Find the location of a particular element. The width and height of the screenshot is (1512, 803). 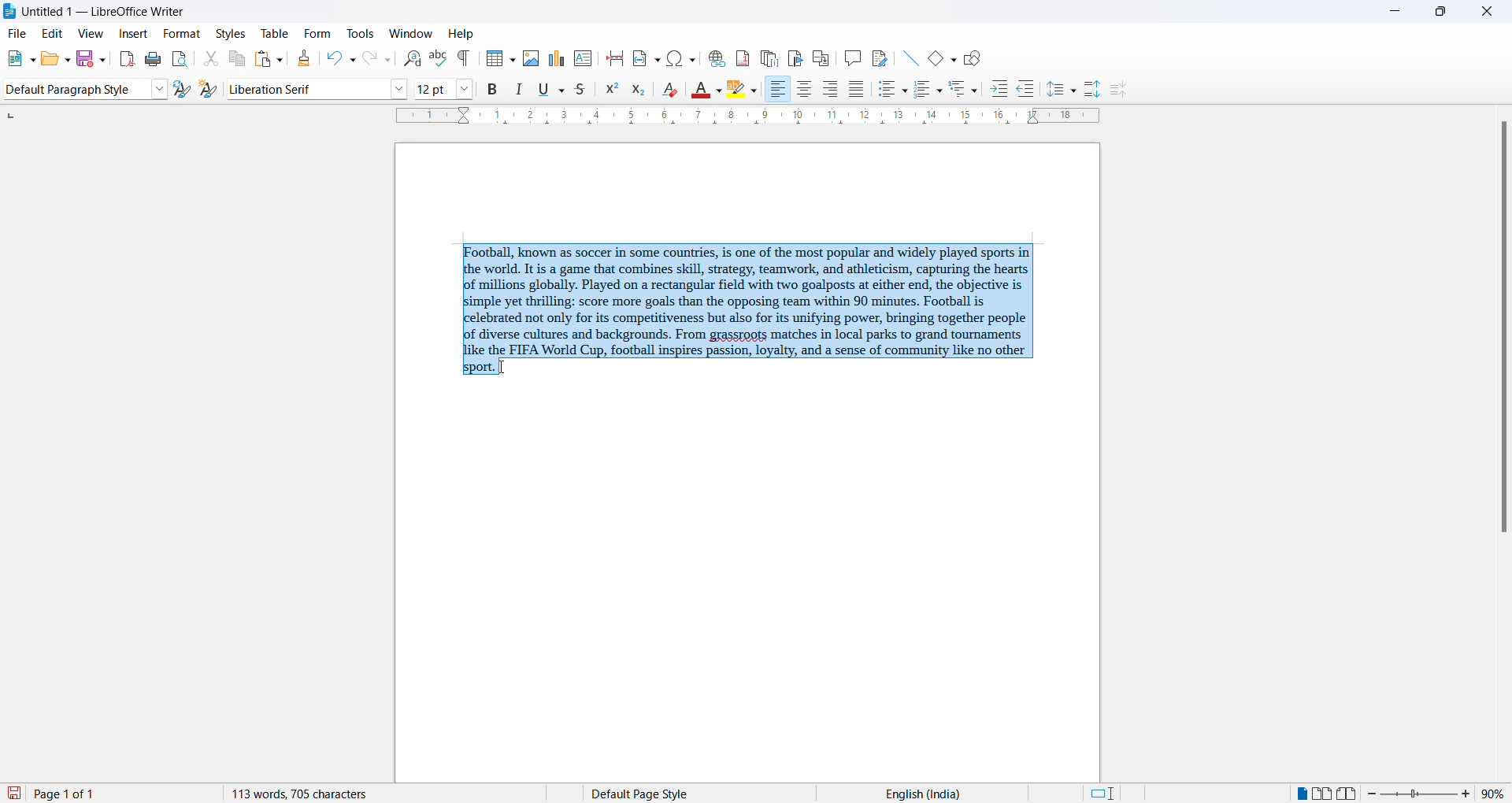

find and replace is located at coordinates (413, 58).